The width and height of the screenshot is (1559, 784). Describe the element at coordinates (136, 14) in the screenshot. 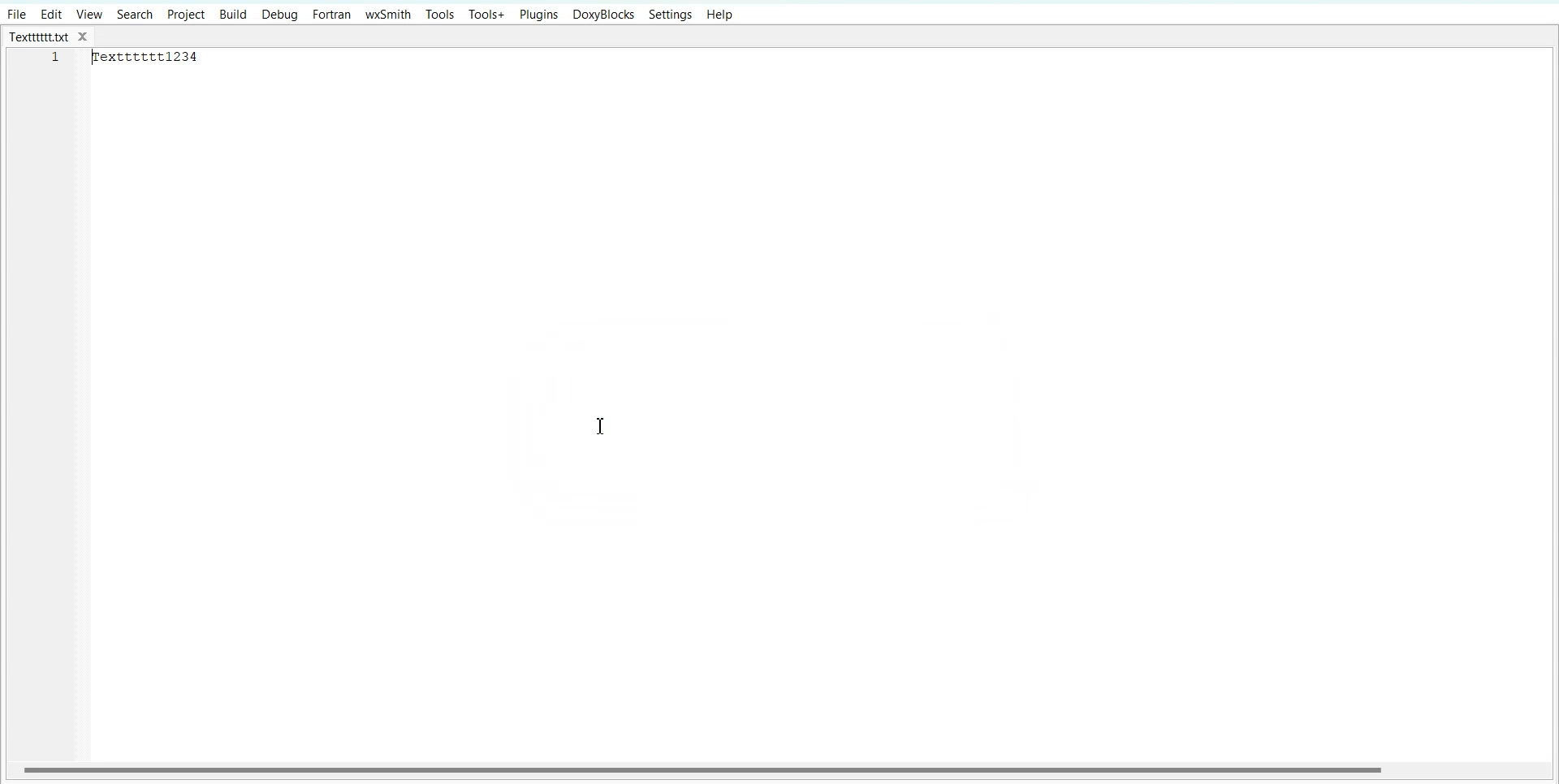

I see `Search` at that location.